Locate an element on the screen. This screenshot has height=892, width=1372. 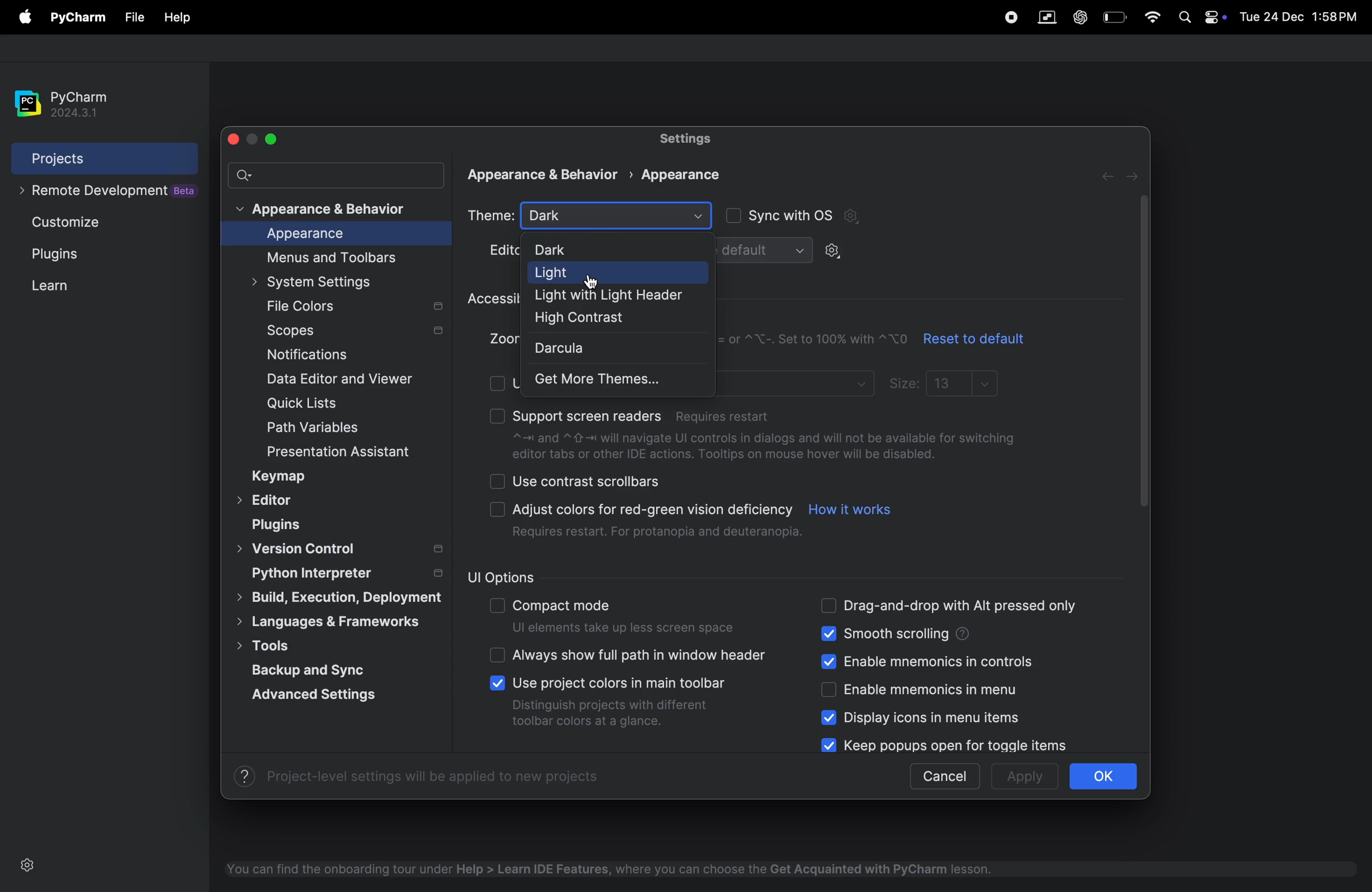
pycharm is located at coordinates (67, 97).